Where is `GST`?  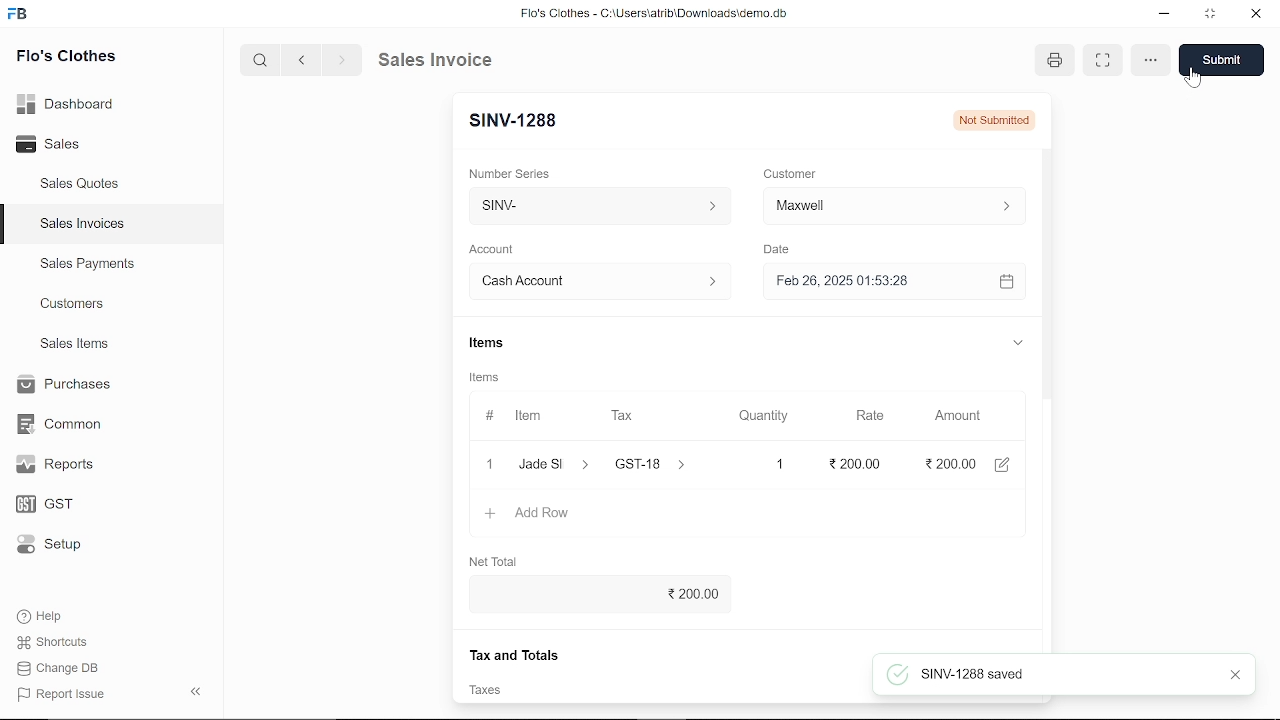
GST is located at coordinates (62, 505).